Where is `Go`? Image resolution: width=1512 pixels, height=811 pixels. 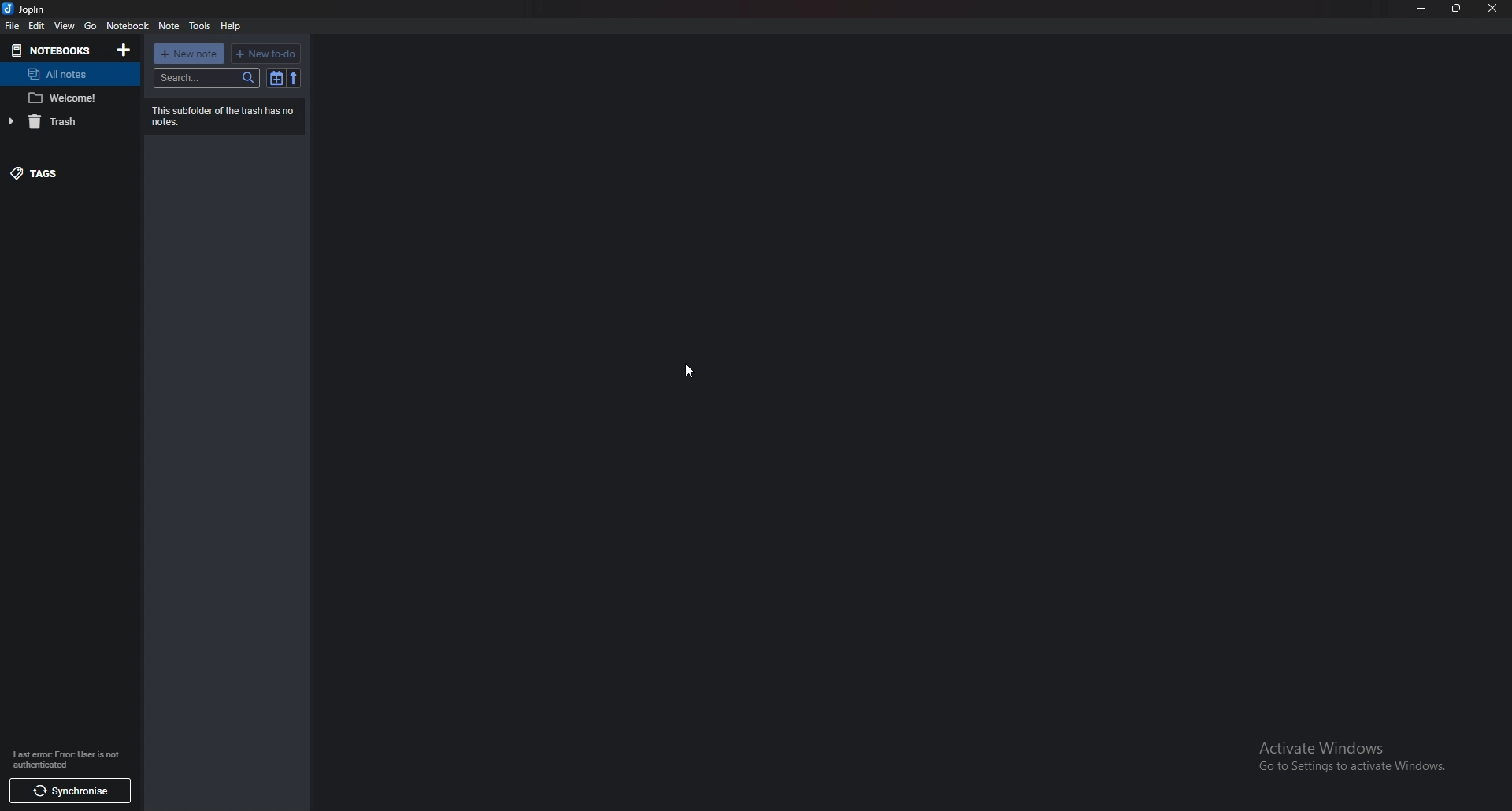 Go is located at coordinates (90, 25).